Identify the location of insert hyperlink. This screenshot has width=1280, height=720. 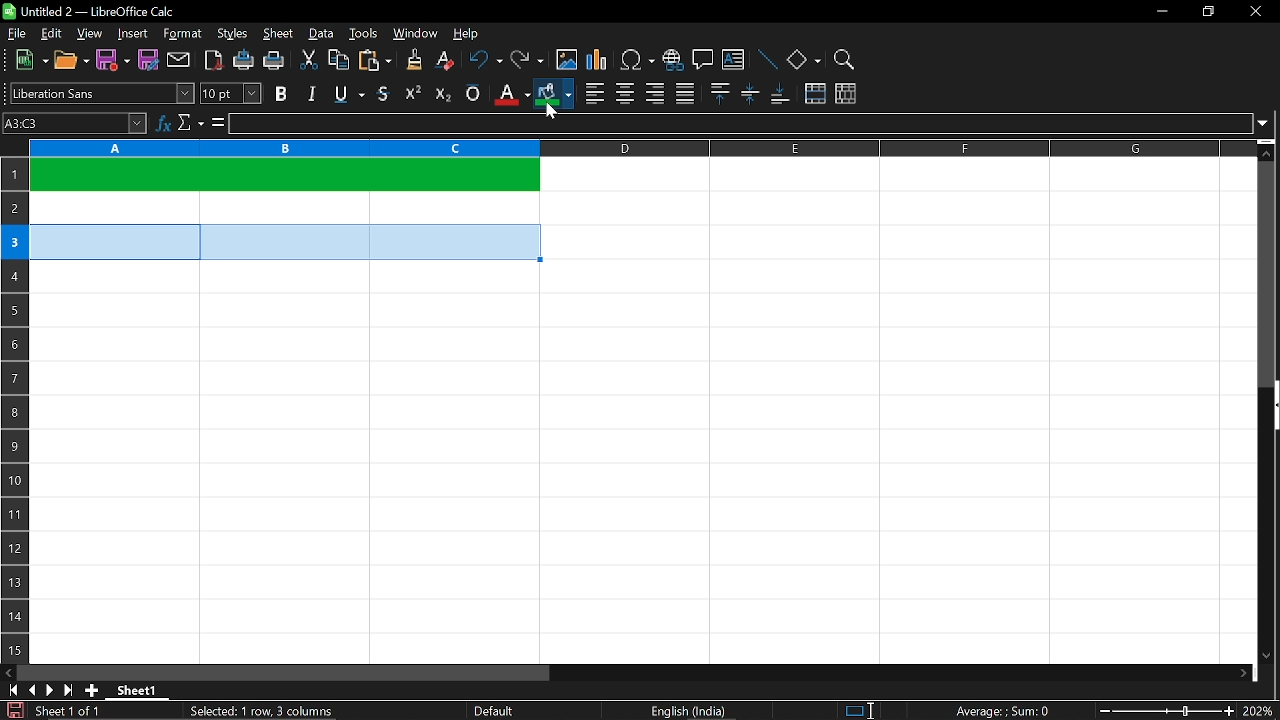
(672, 58).